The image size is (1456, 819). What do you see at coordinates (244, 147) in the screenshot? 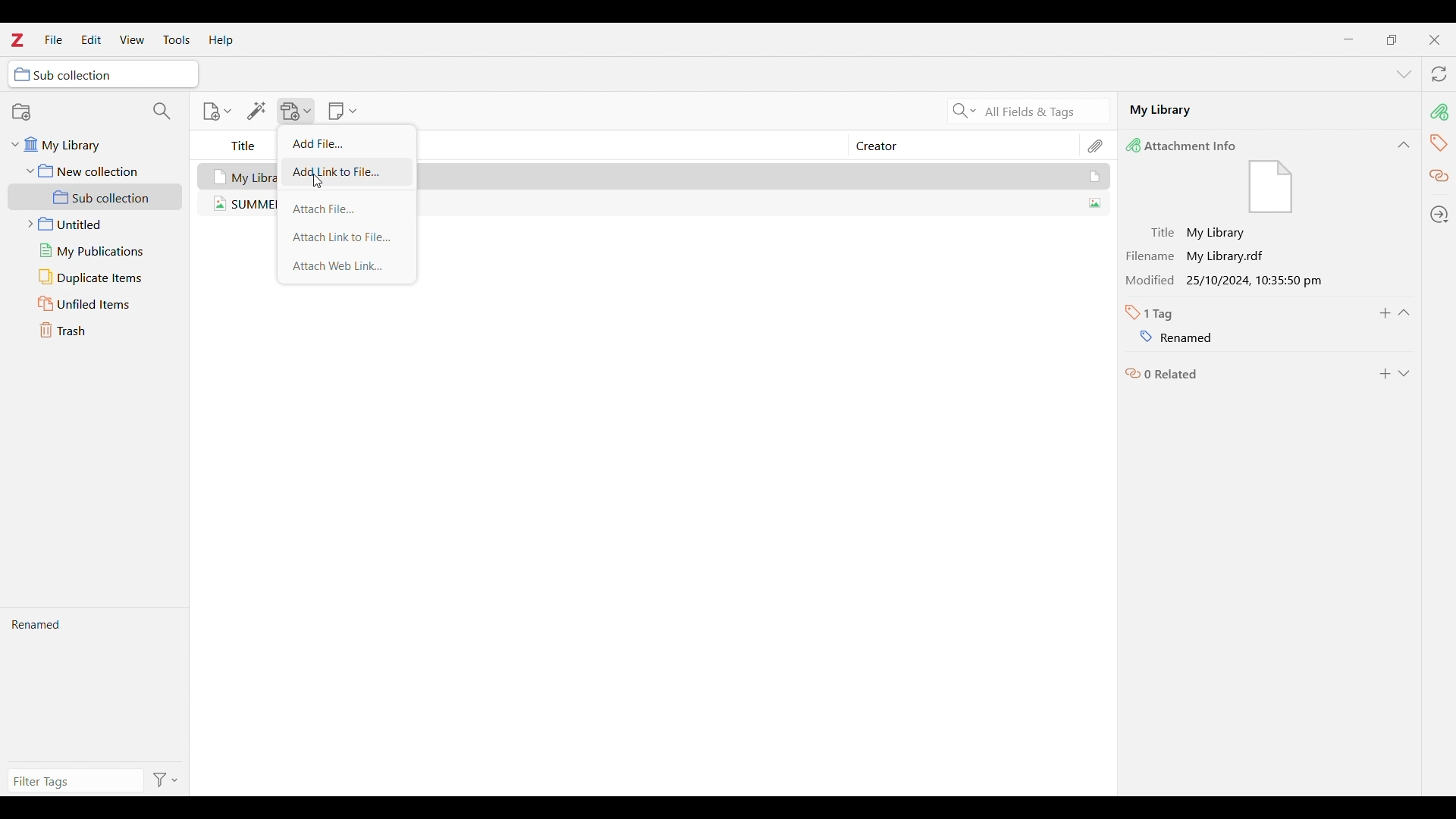
I see `Title ` at bounding box center [244, 147].